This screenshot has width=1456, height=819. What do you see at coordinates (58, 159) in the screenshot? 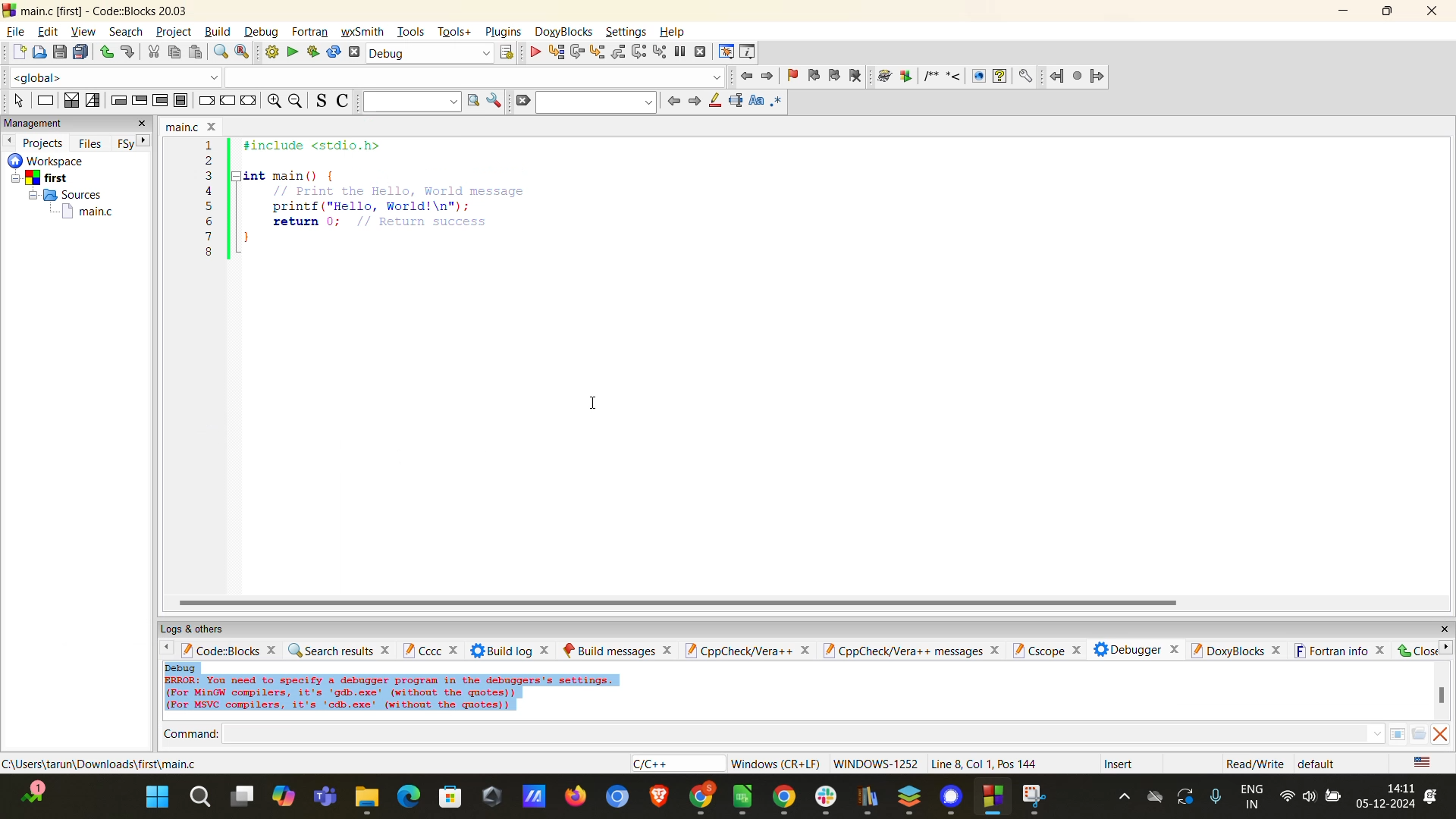
I see `workspace details` at bounding box center [58, 159].